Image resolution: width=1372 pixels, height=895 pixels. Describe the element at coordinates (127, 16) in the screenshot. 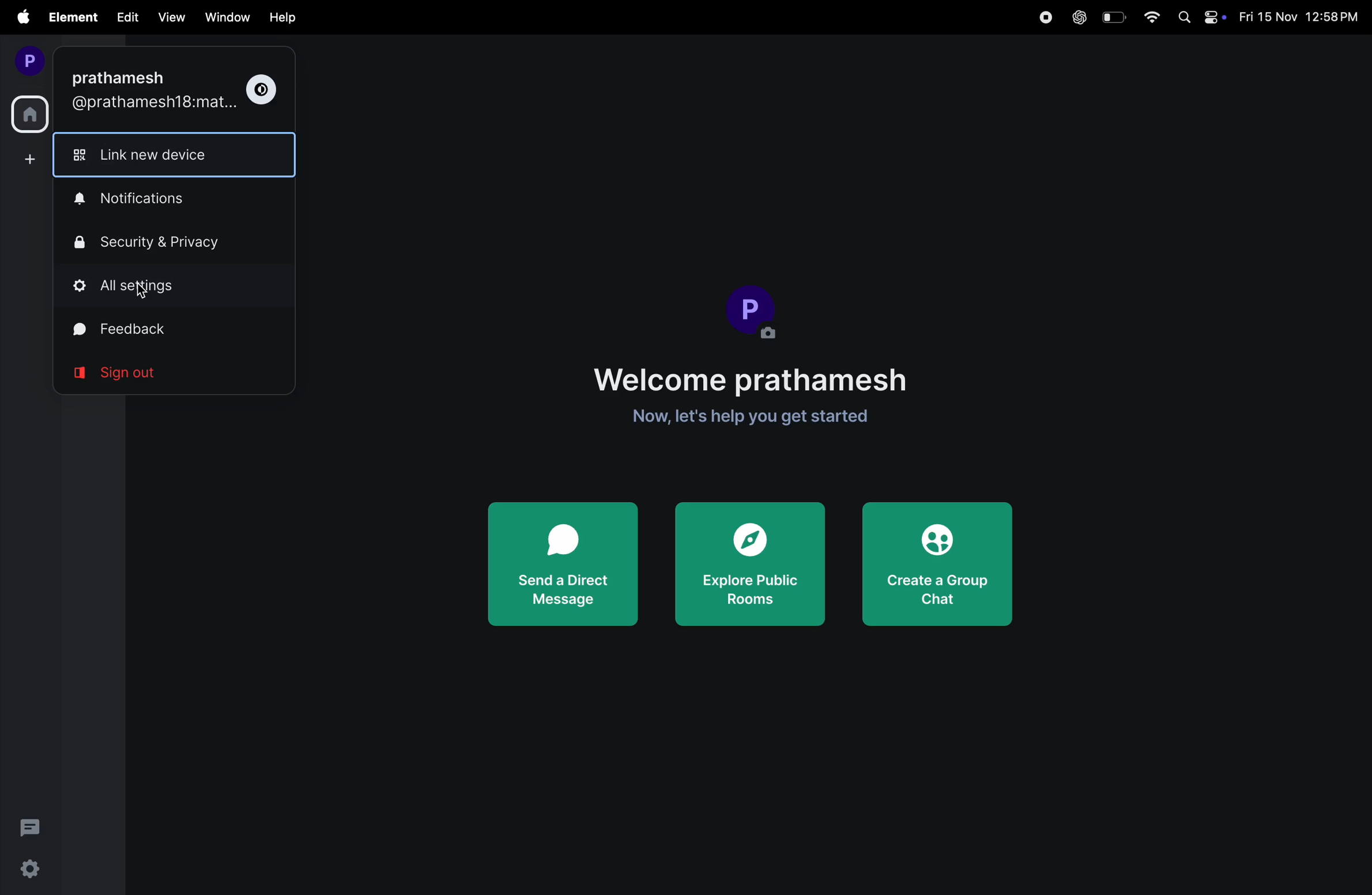

I see `edit` at that location.